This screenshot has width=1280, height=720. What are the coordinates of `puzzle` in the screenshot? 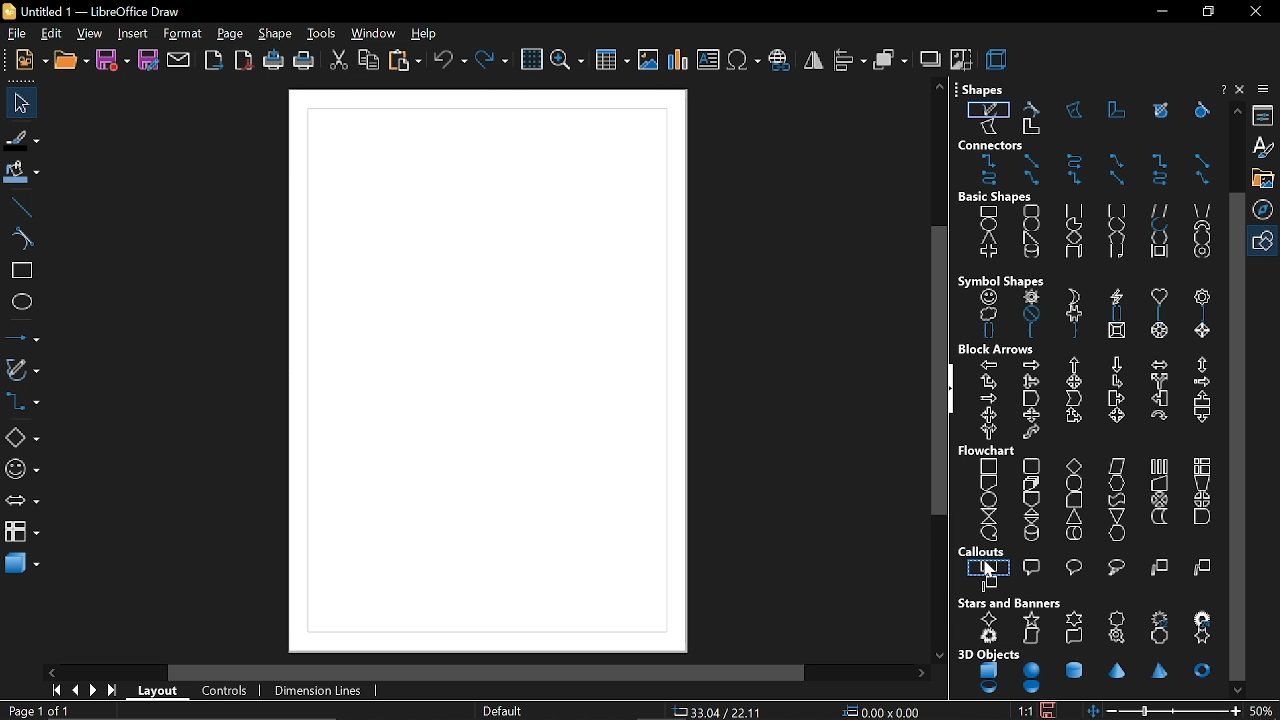 It's located at (1072, 314).